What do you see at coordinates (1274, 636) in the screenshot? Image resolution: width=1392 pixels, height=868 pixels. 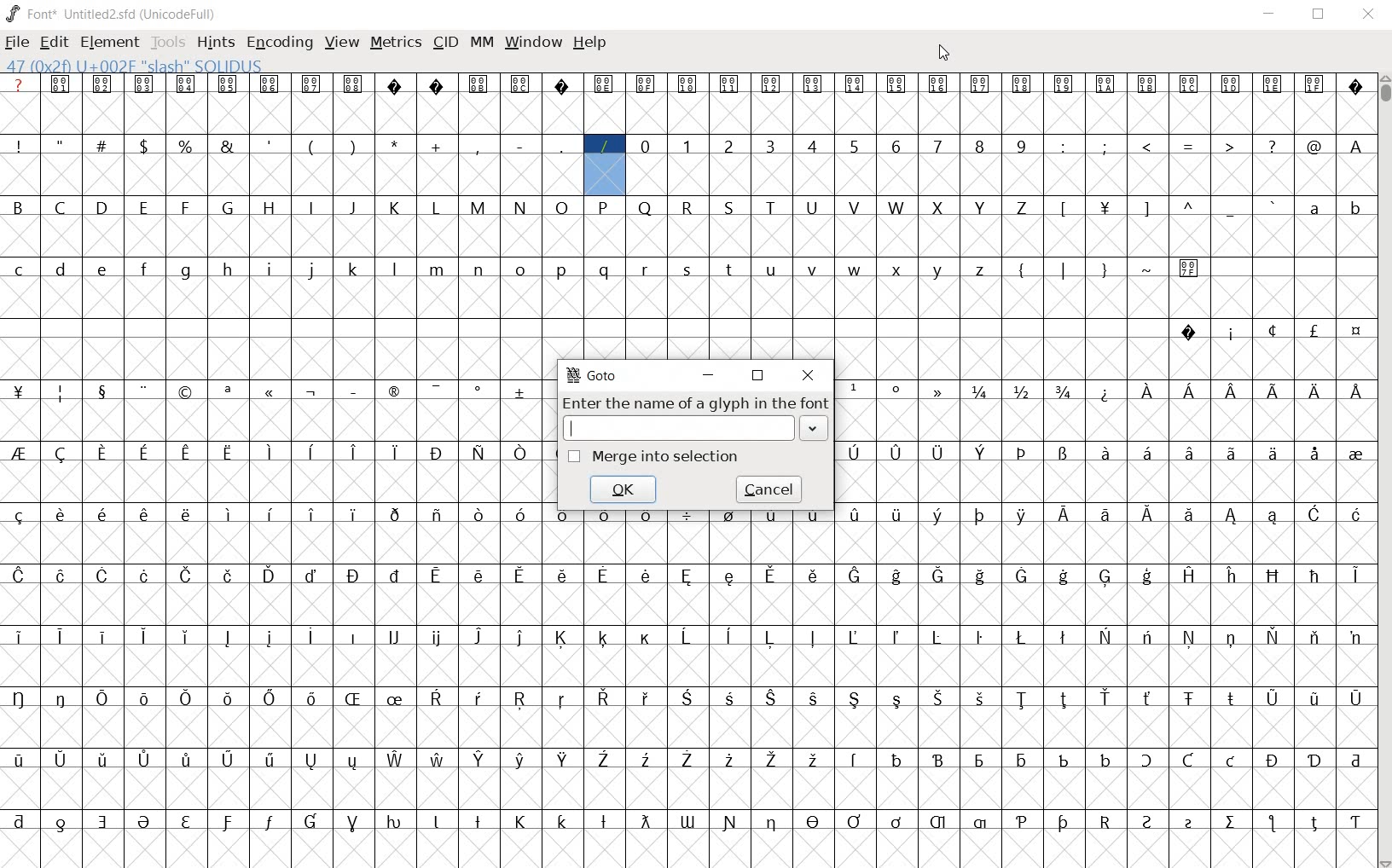 I see `glyph` at bounding box center [1274, 636].